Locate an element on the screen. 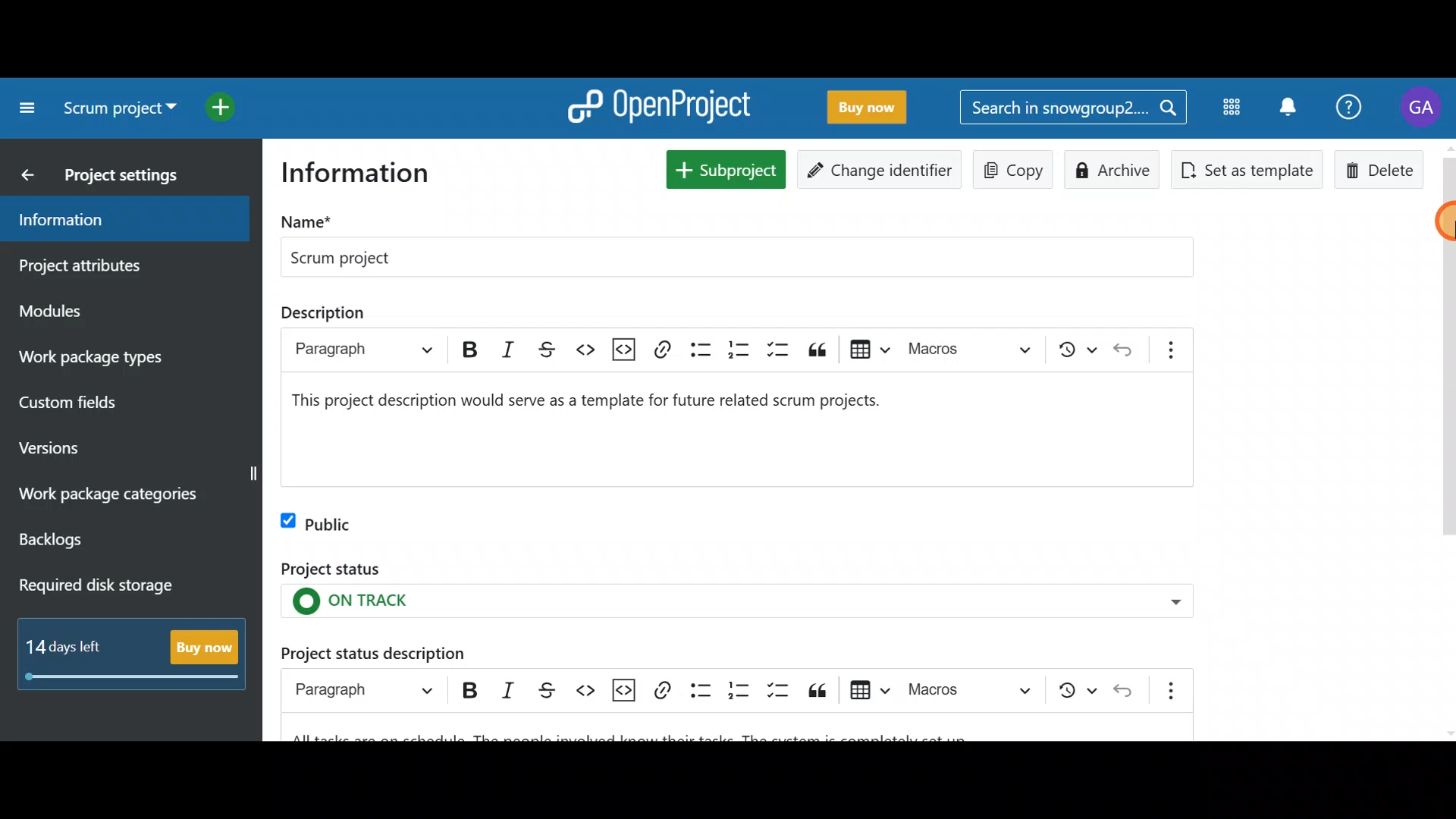  Select a project is located at coordinates (123, 114).